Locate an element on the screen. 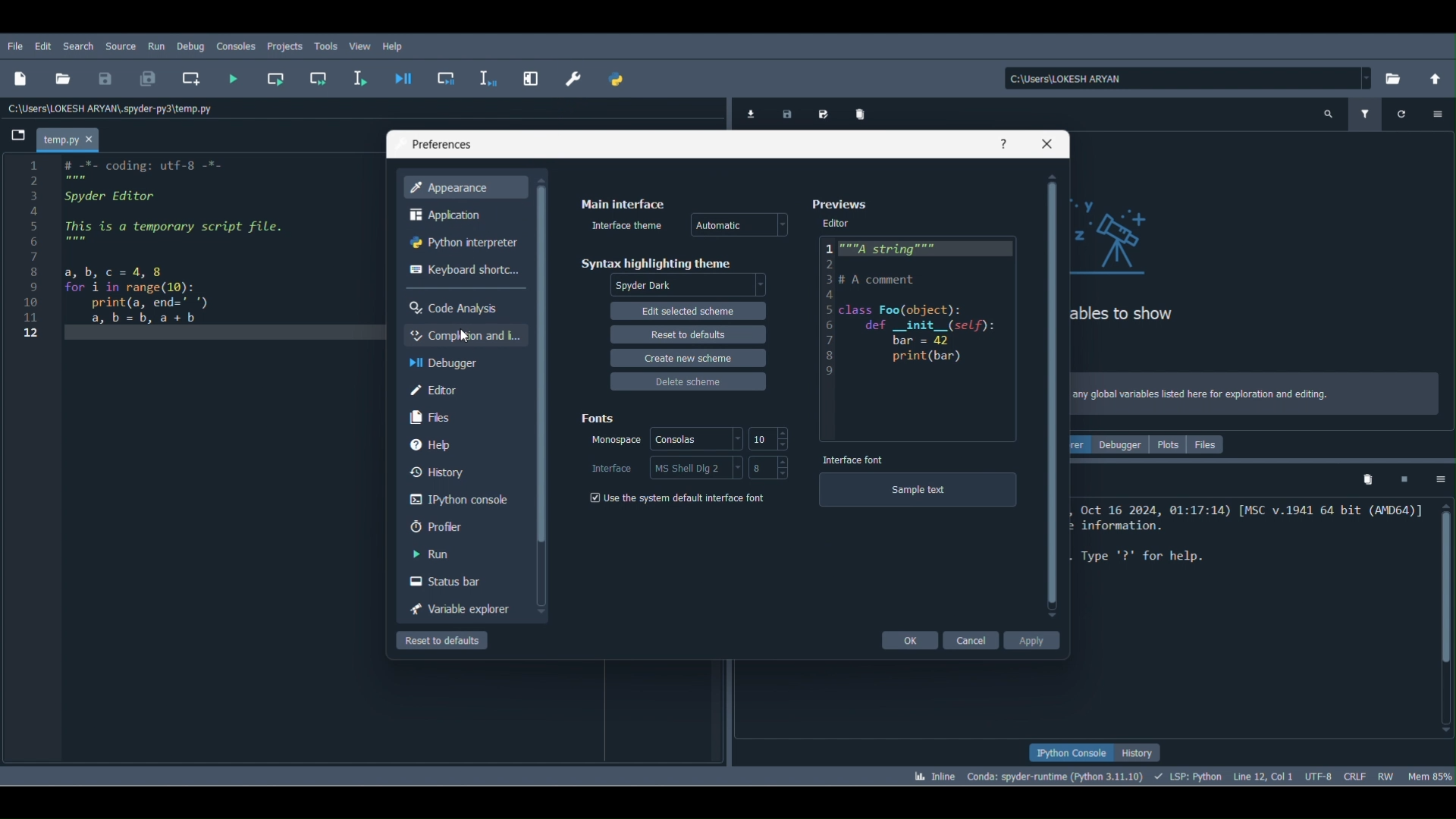 This screenshot has height=819, width=1456. Code Analysis is located at coordinates (452, 306).